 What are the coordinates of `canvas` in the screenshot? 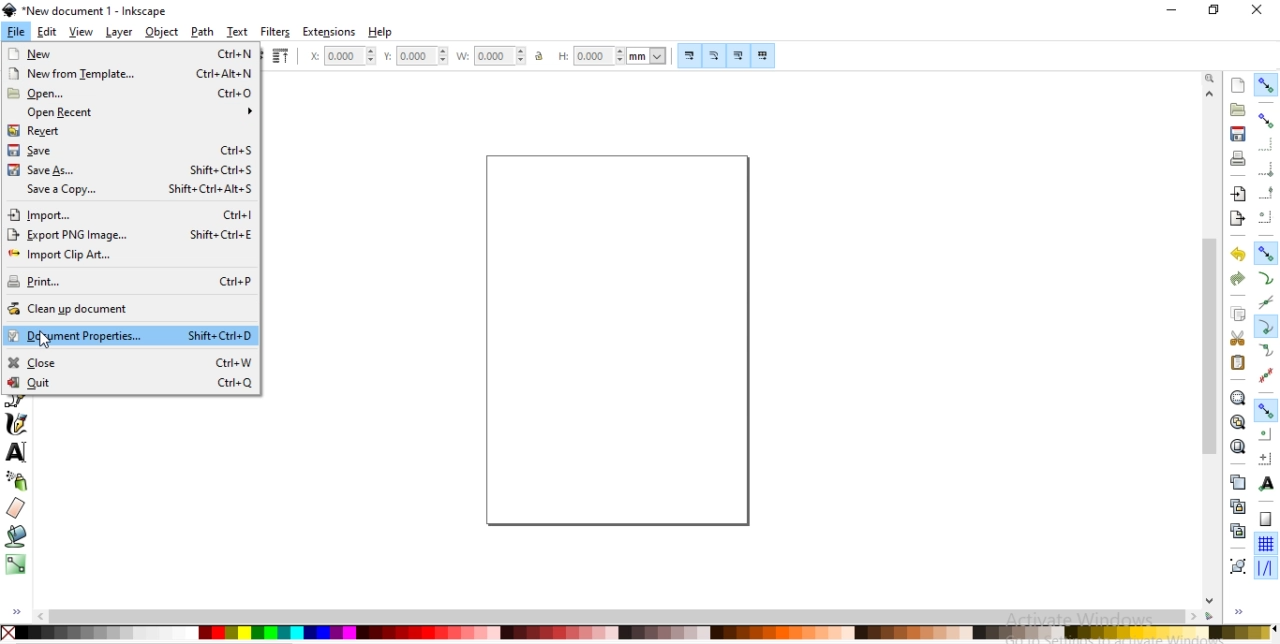 It's located at (616, 341).